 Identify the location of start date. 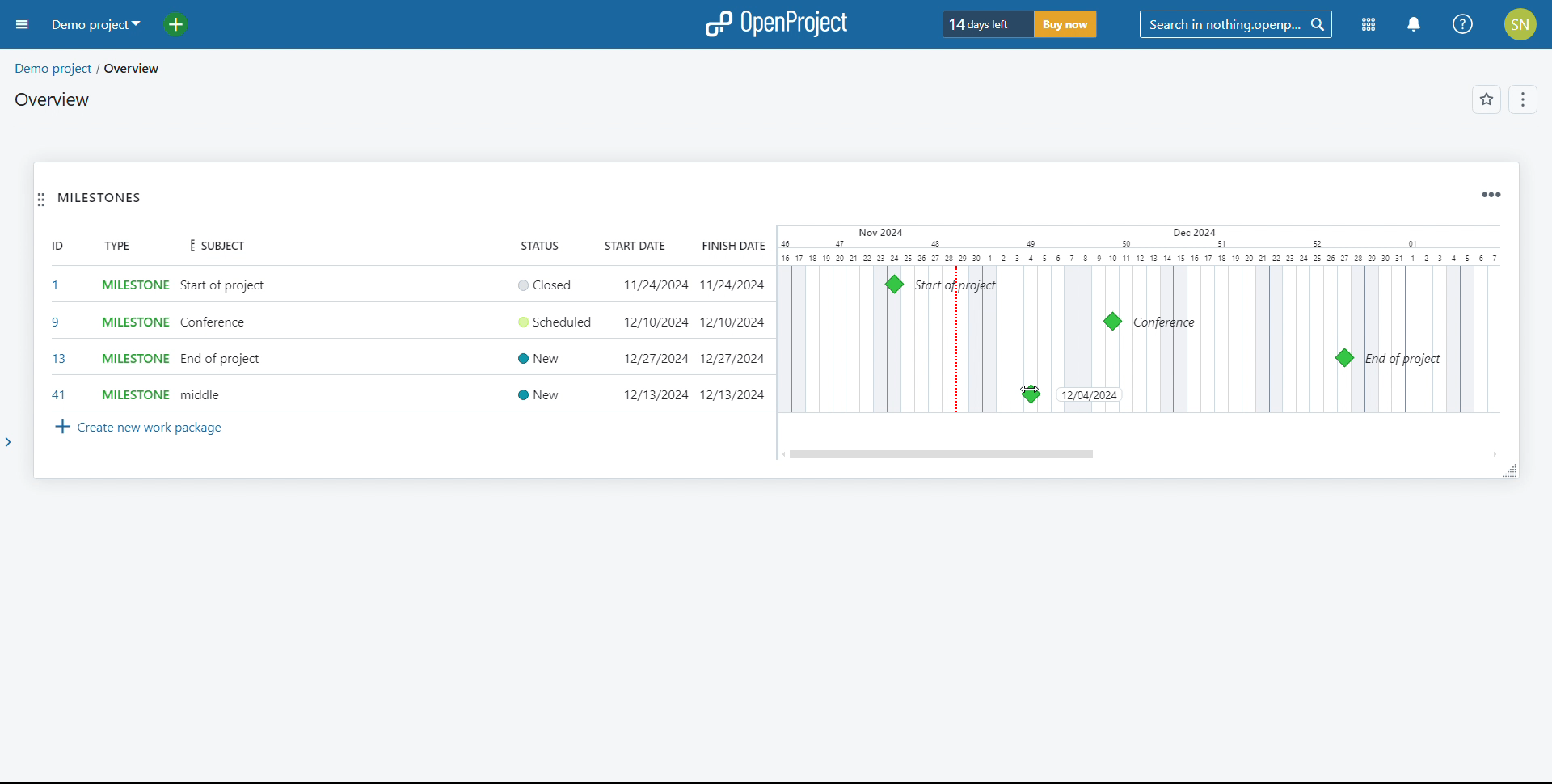
(637, 245).